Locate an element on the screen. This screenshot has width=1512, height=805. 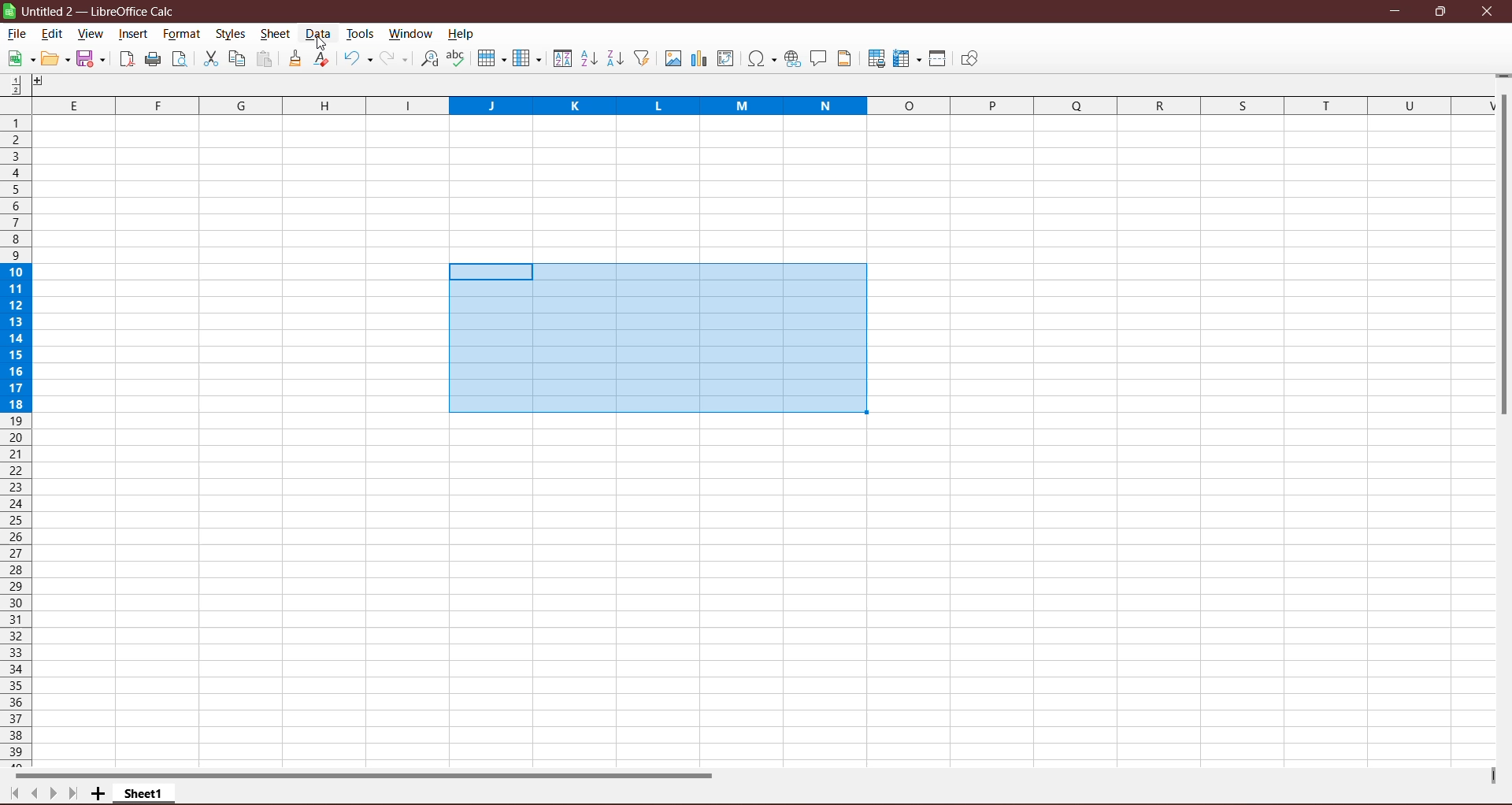
Insert or Edit Pivot table is located at coordinates (726, 57).